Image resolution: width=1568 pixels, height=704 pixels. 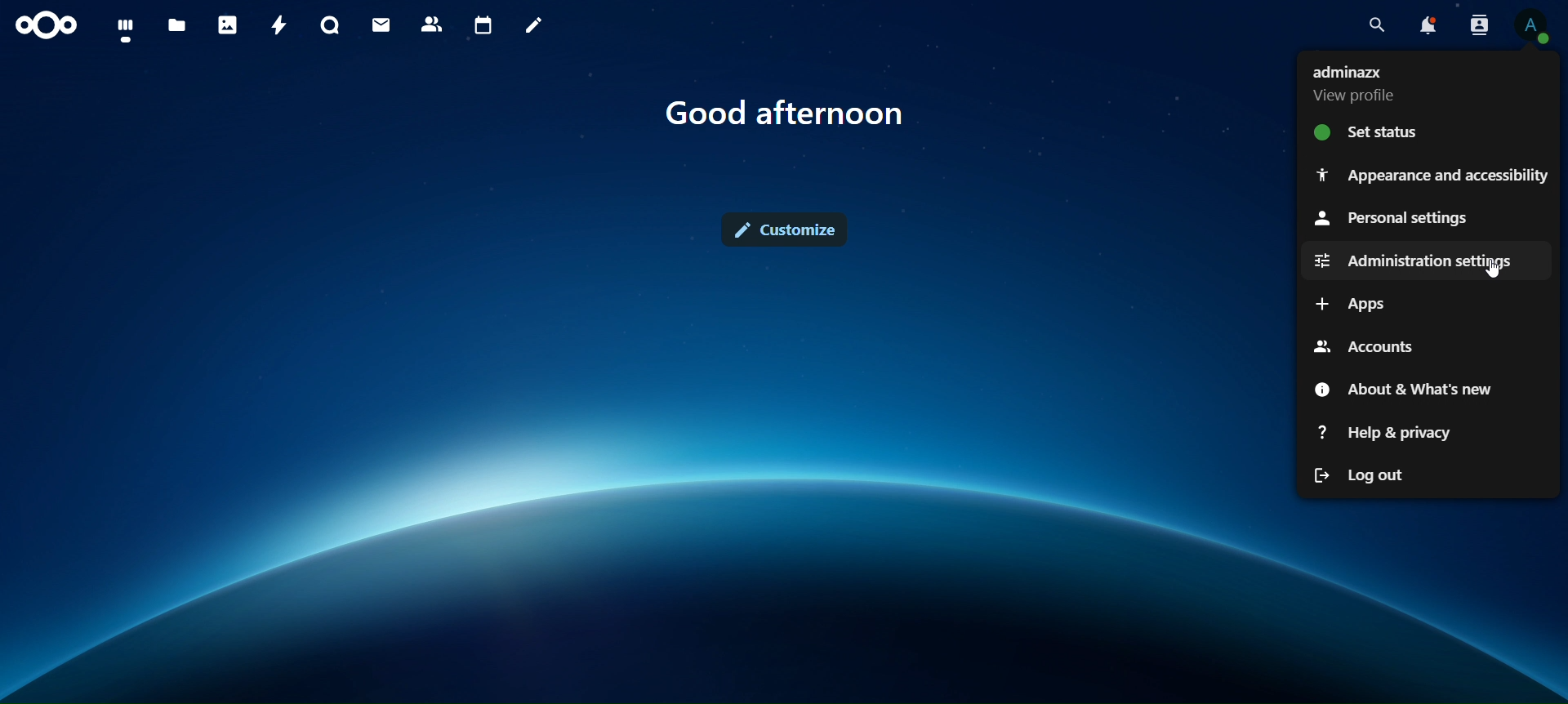 What do you see at coordinates (383, 25) in the screenshot?
I see `mail` at bounding box center [383, 25].